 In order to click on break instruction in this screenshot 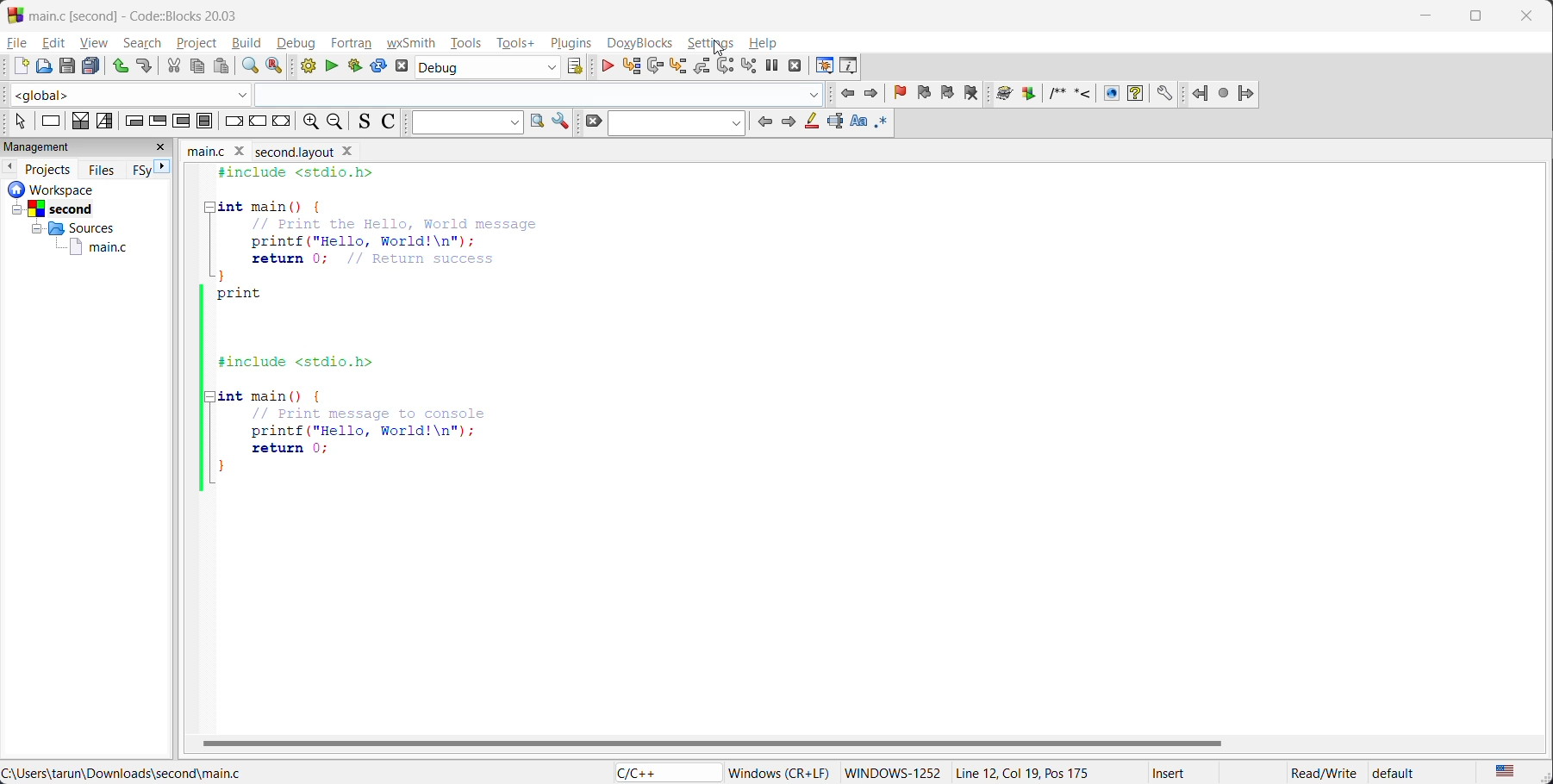, I will do `click(233, 122)`.